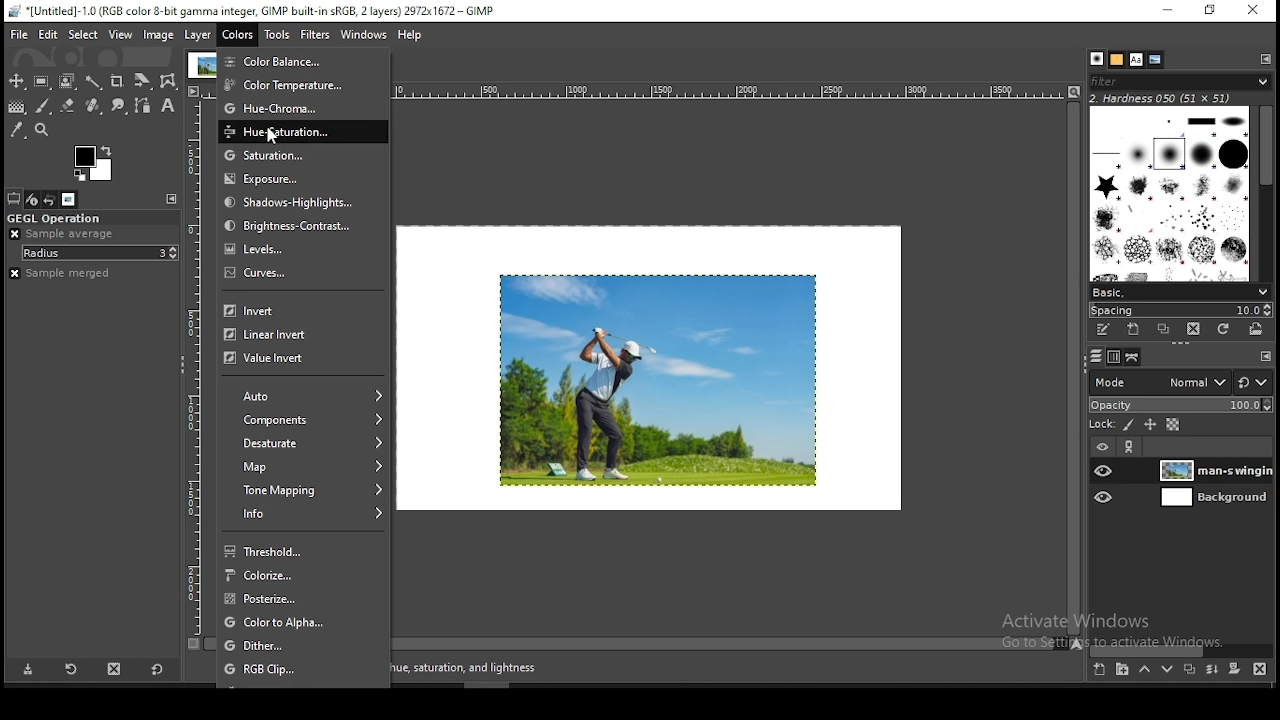 This screenshot has height=720, width=1280. What do you see at coordinates (304, 468) in the screenshot?
I see `map` at bounding box center [304, 468].